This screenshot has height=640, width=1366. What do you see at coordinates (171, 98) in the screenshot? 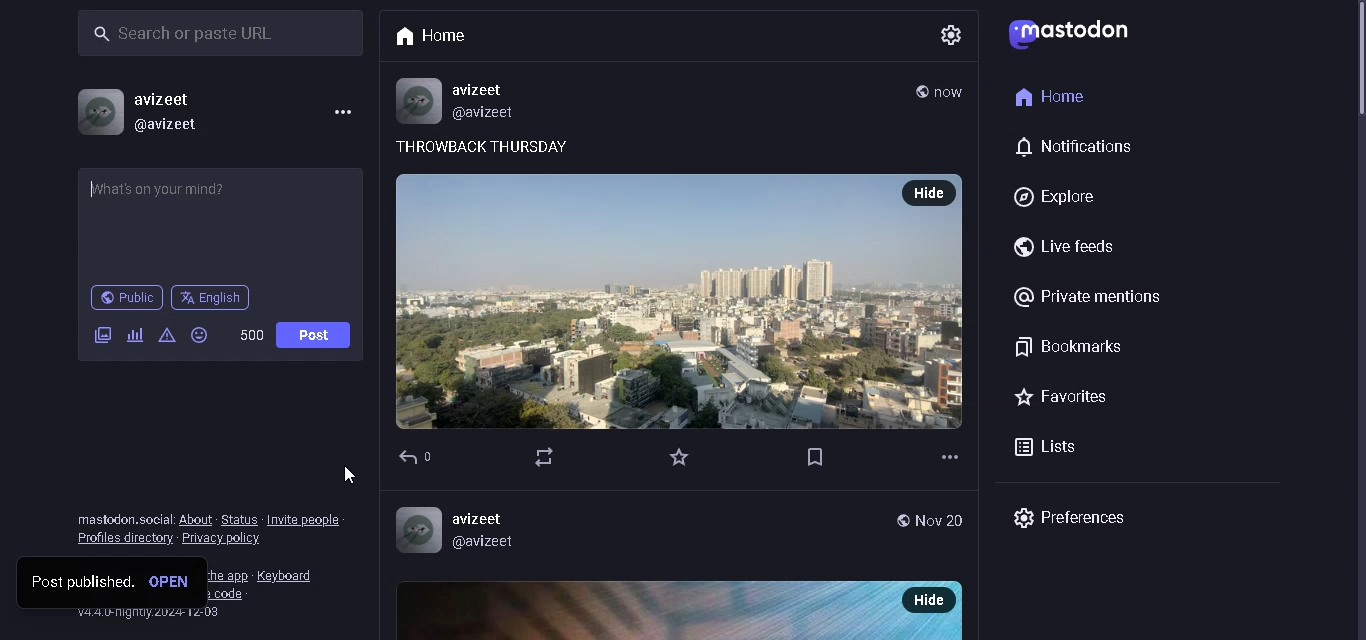
I see `username` at bounding box center [171, 98].